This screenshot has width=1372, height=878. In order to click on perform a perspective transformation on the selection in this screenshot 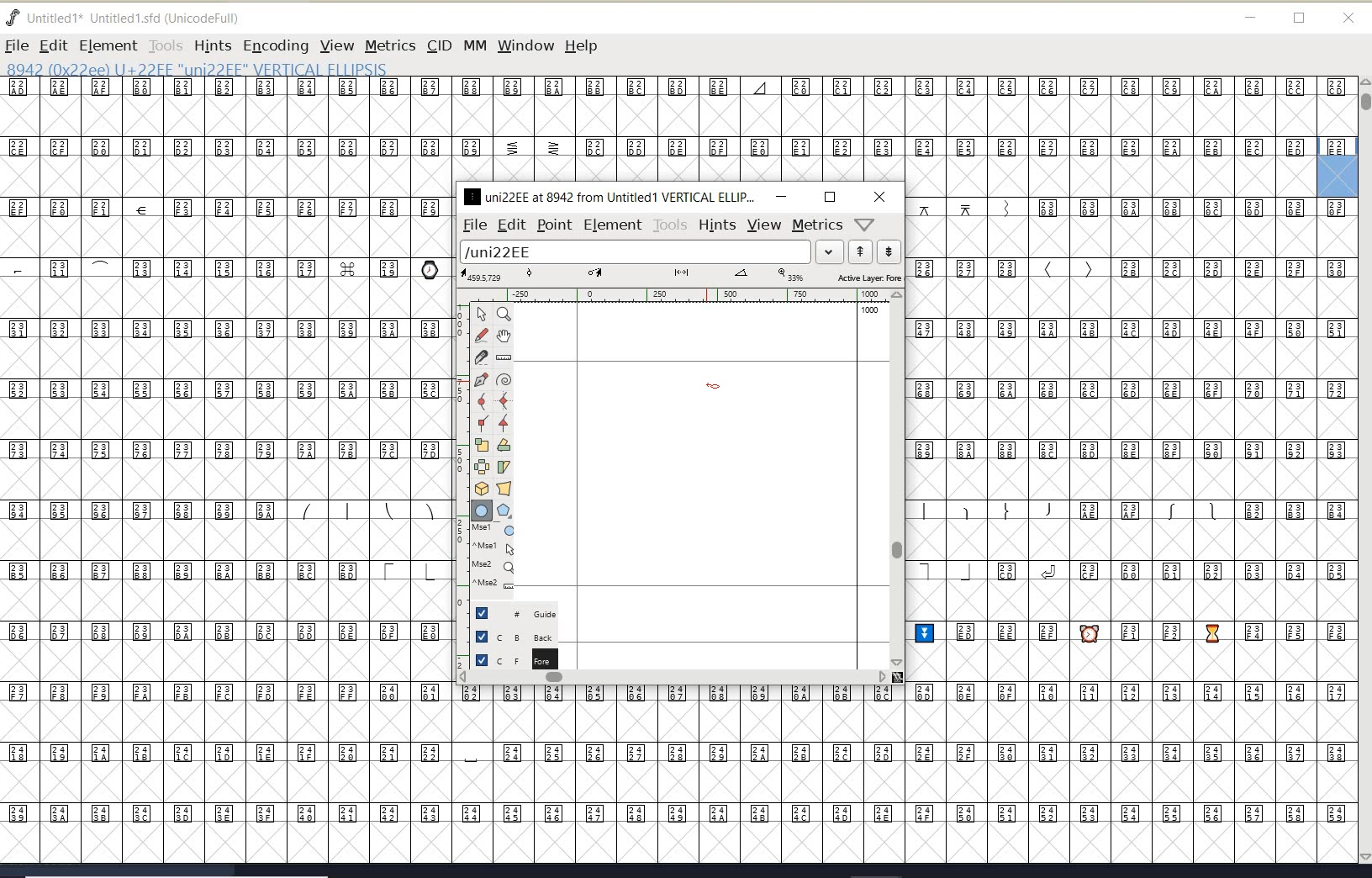, I will do `click(504, 488)`.